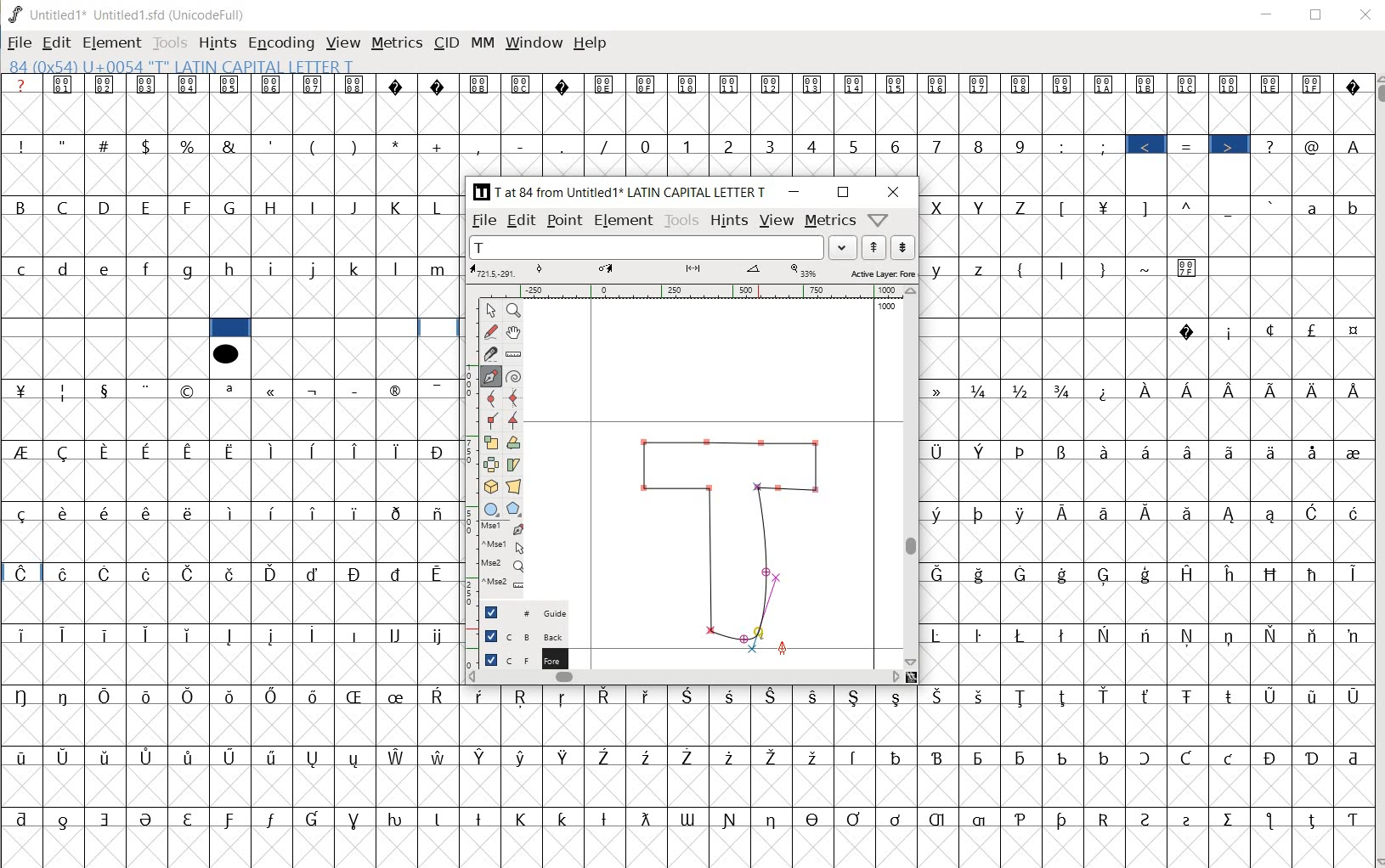 The height and width of the screenshot is (868, 1385). I want to click on 3, so click(773, 147).